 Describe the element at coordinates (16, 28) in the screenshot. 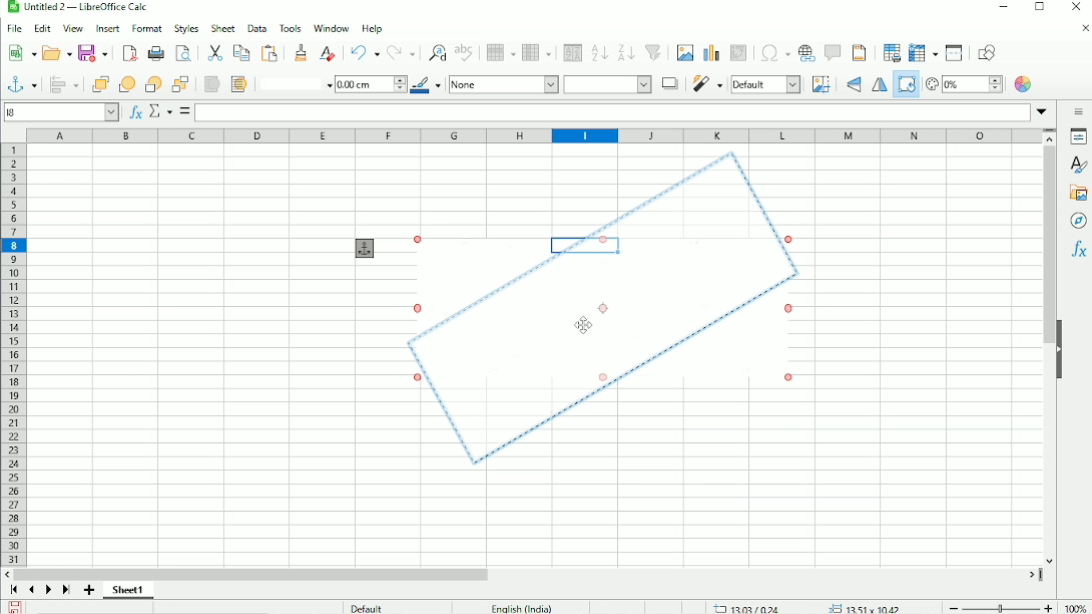

I see `File` at that location.